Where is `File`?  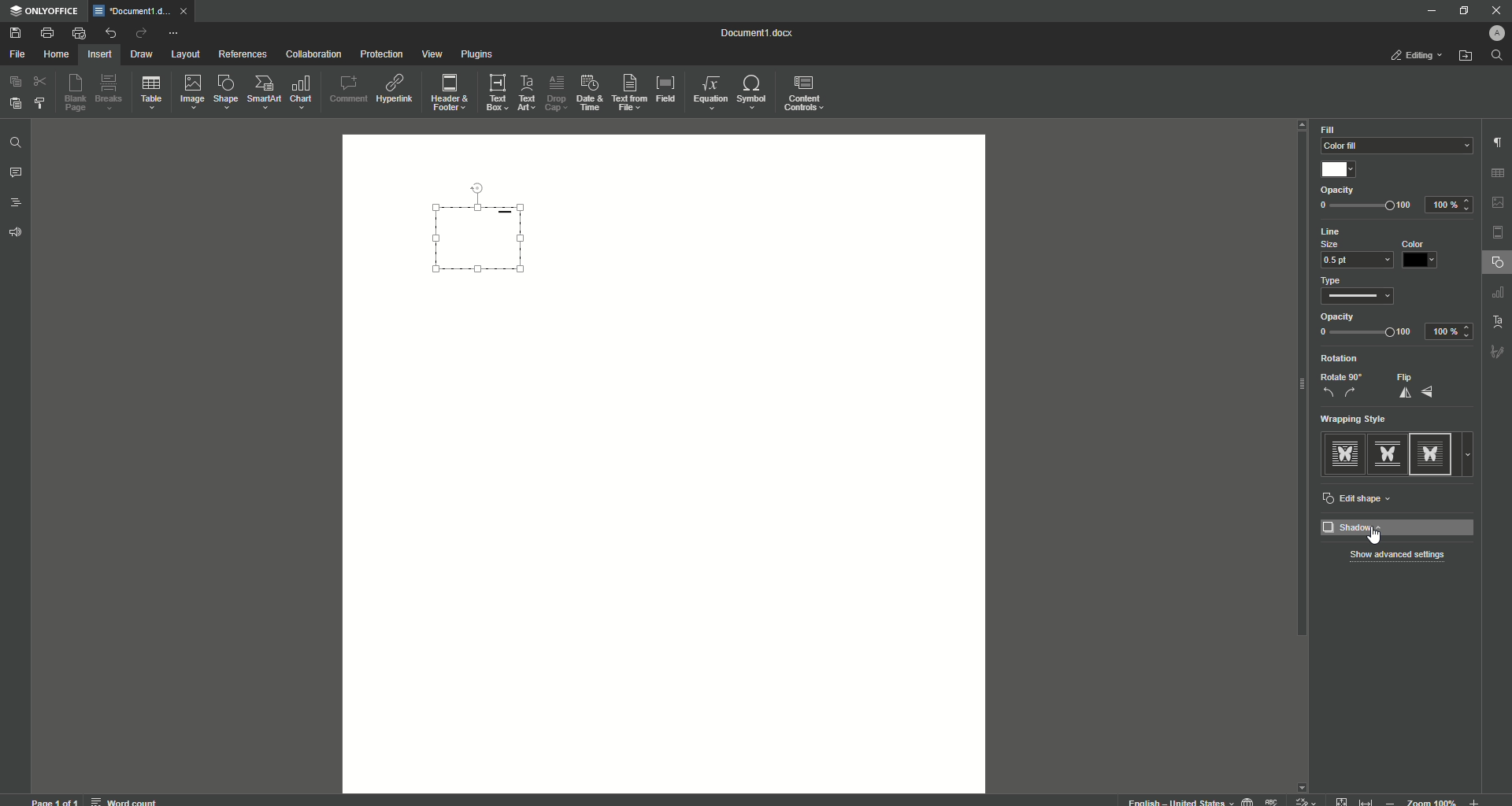 File is located at coordinates (17, 55).